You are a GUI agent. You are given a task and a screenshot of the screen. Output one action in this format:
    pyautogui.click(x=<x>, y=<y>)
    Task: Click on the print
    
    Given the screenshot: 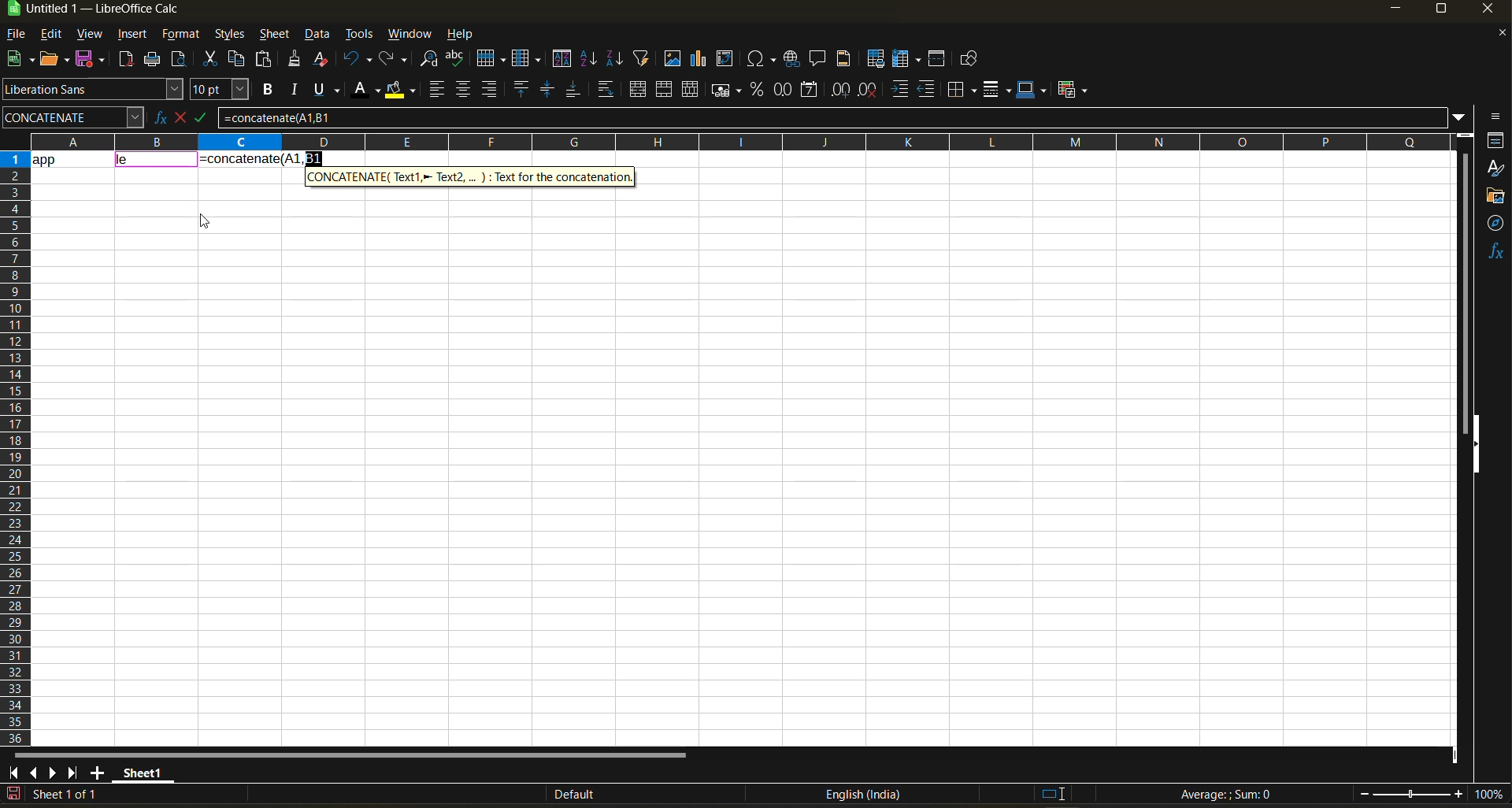 What is the action you would take?
    pyautogui.click(x=152, y=60)
    